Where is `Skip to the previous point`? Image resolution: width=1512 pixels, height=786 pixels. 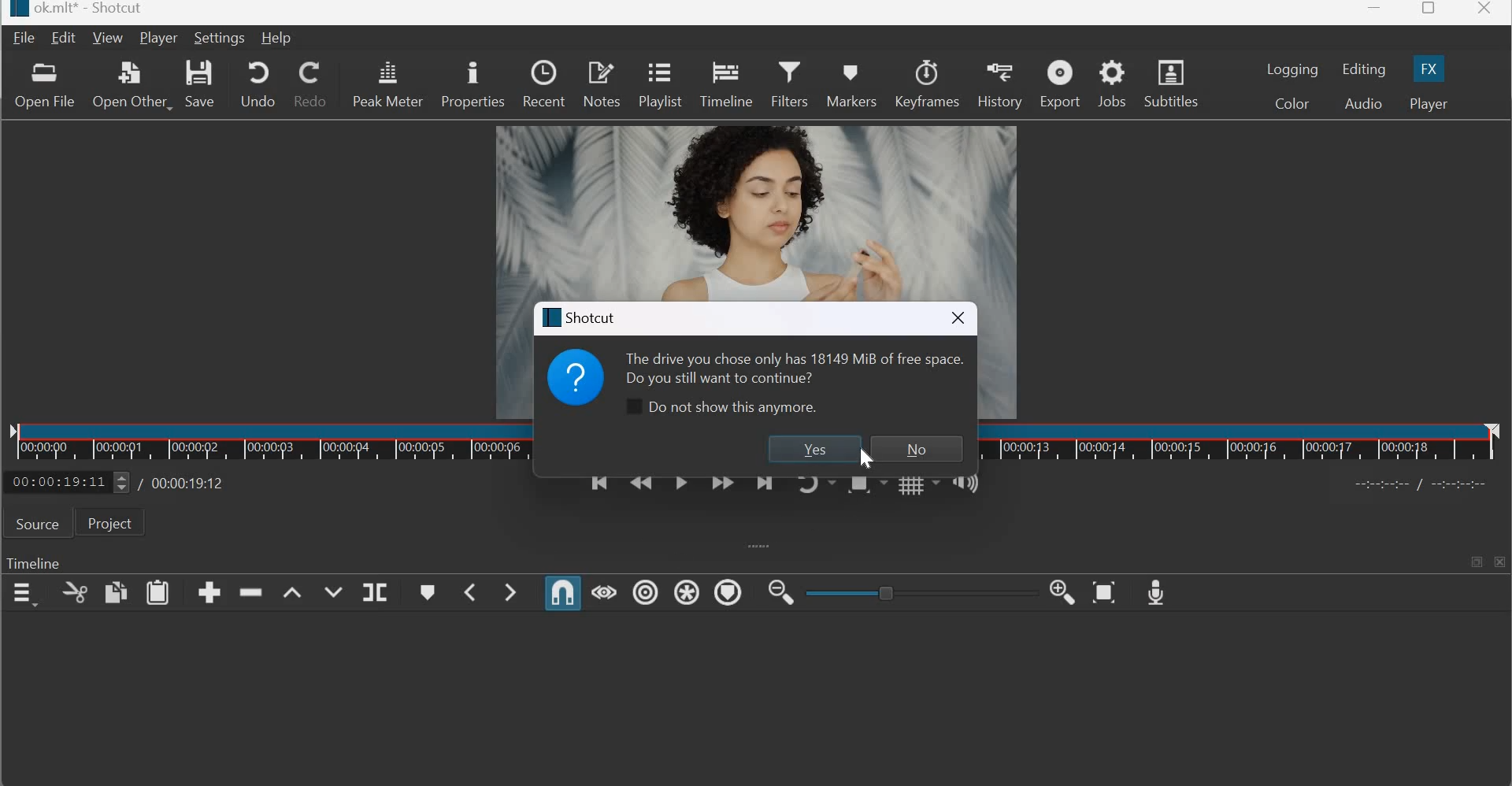
Skip to the previous point is located at coordinates (597, 490).